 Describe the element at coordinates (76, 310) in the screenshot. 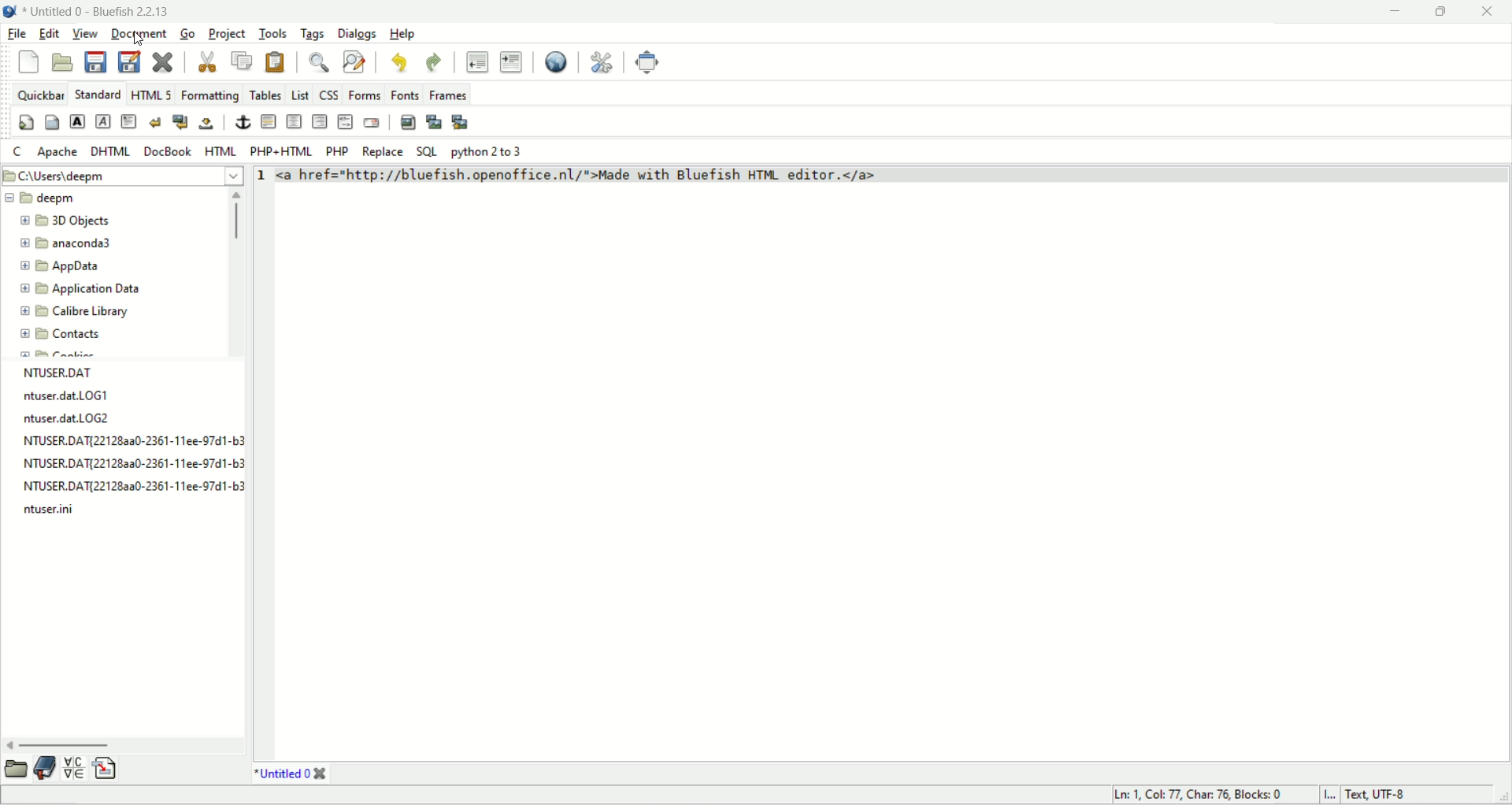

I see `calibre library` at that location.